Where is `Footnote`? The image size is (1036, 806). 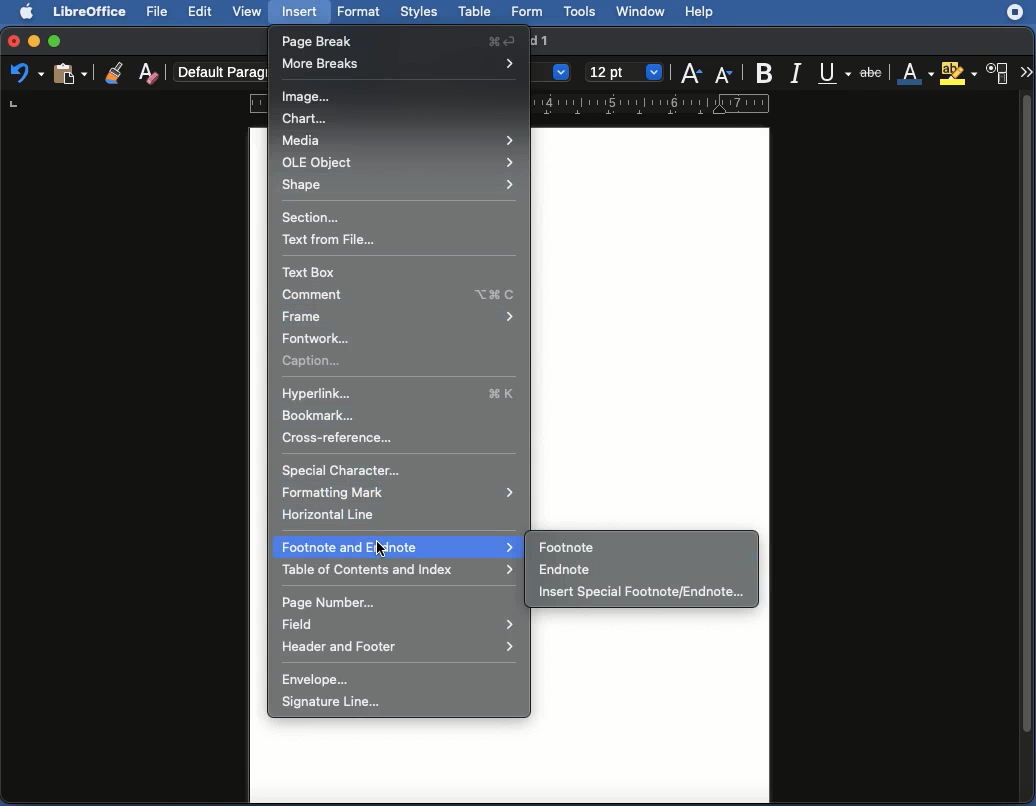 Footnote is located at coordinates (571, 547).